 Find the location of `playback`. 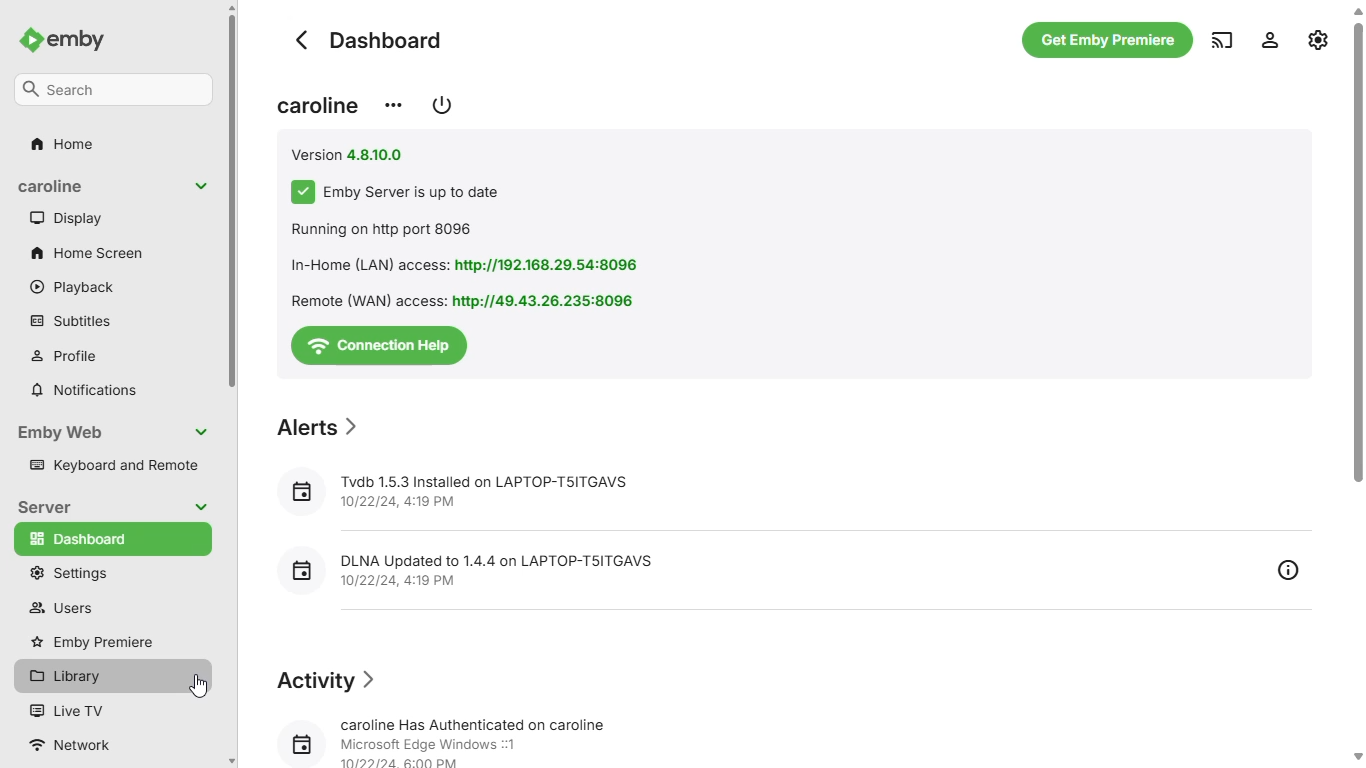

playback is located at coordinates (72, 286).